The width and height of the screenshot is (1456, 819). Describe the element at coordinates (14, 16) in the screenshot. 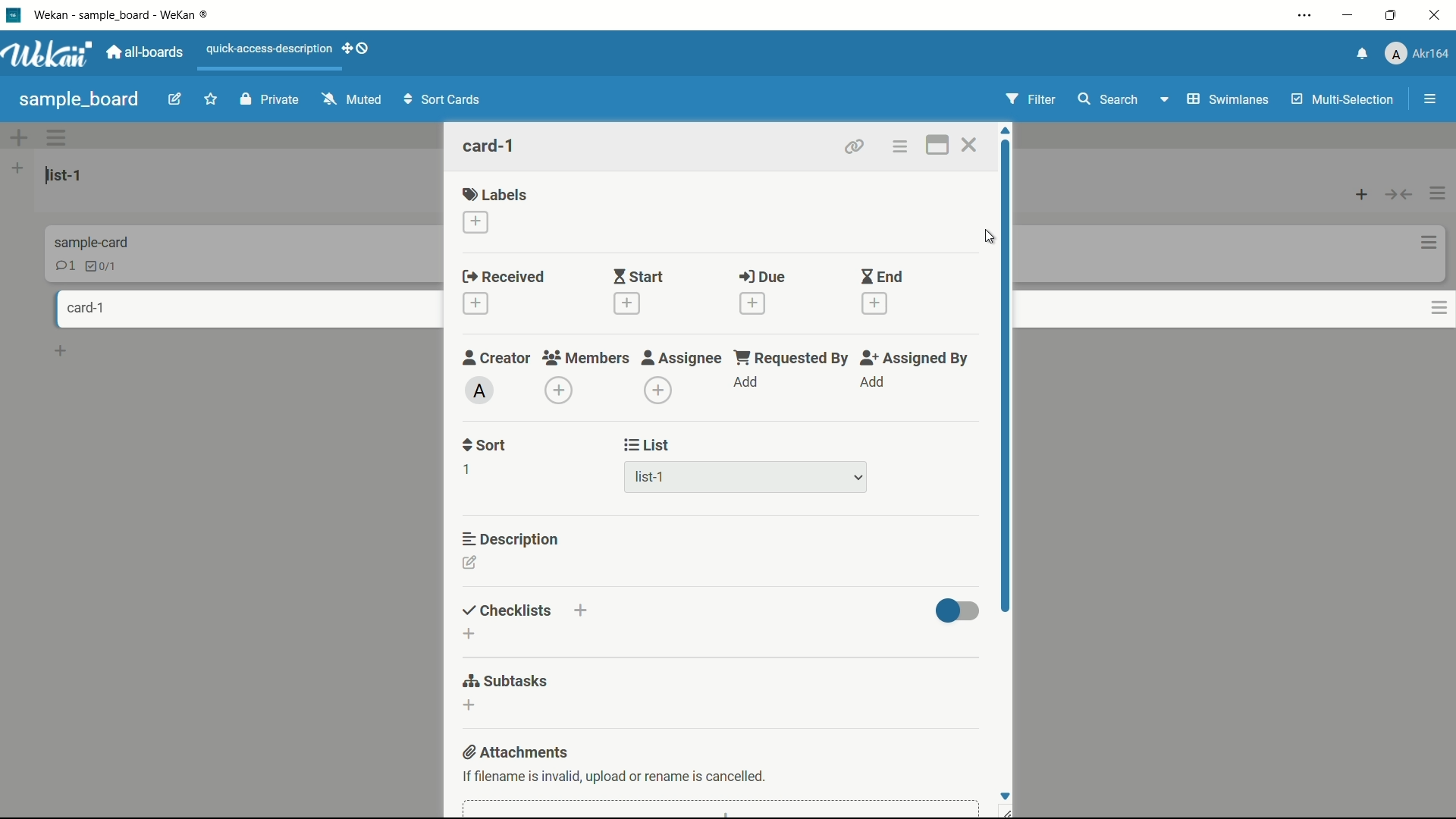

I see `wekan logo` at that location.